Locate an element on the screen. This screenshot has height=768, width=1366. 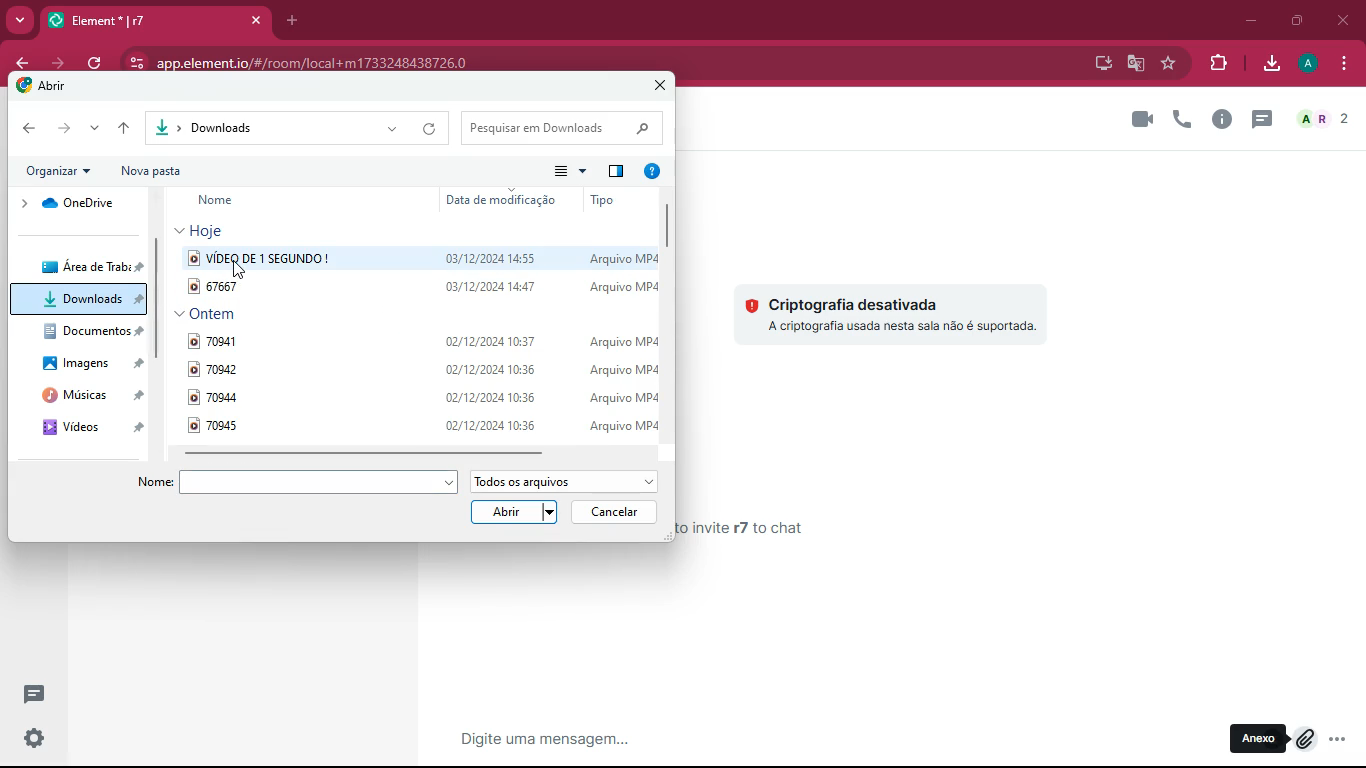
arbir is located at coordinates (519, 516).